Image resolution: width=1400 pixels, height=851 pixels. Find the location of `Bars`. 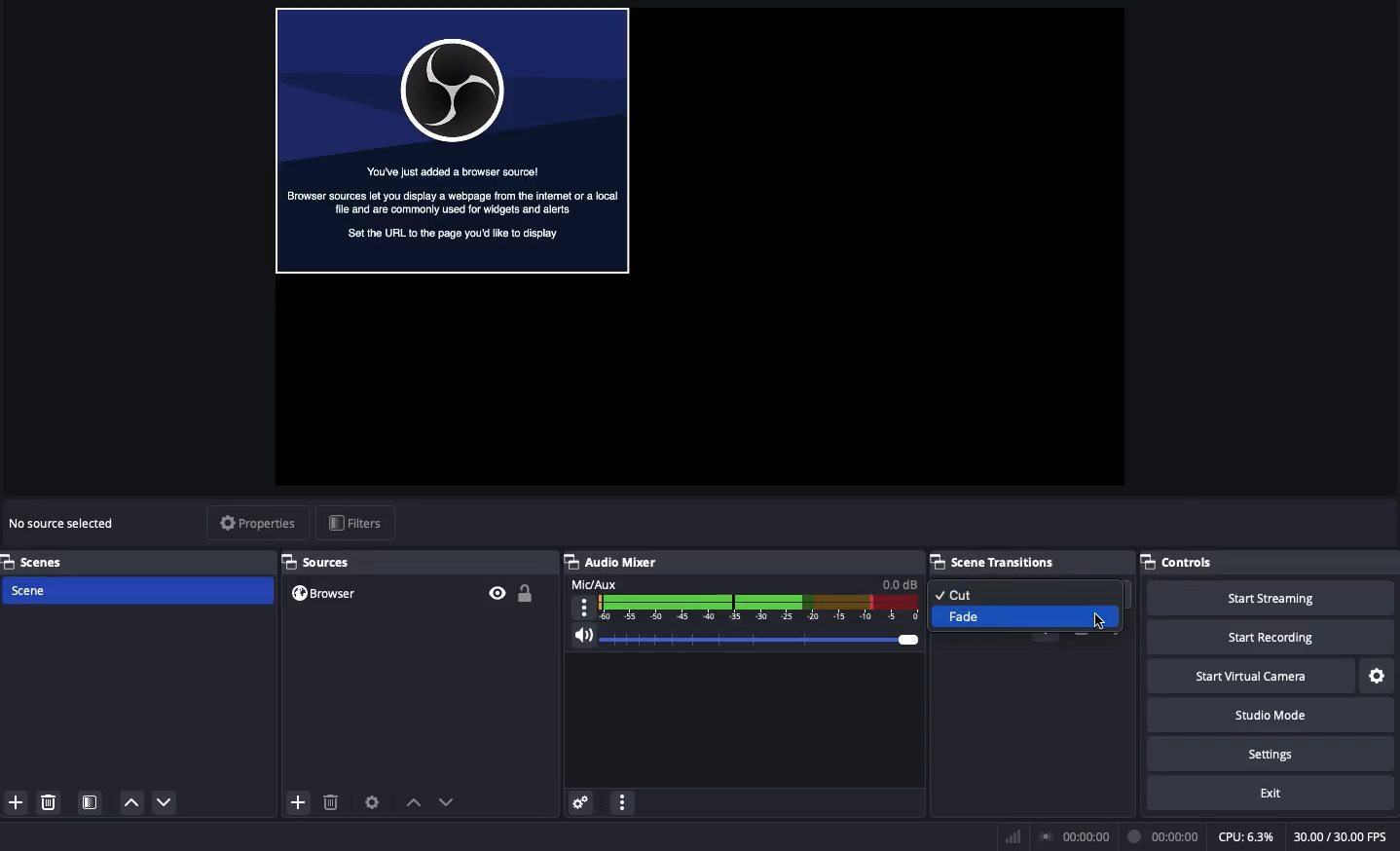

Bars is located at coordinates (1010, 835).